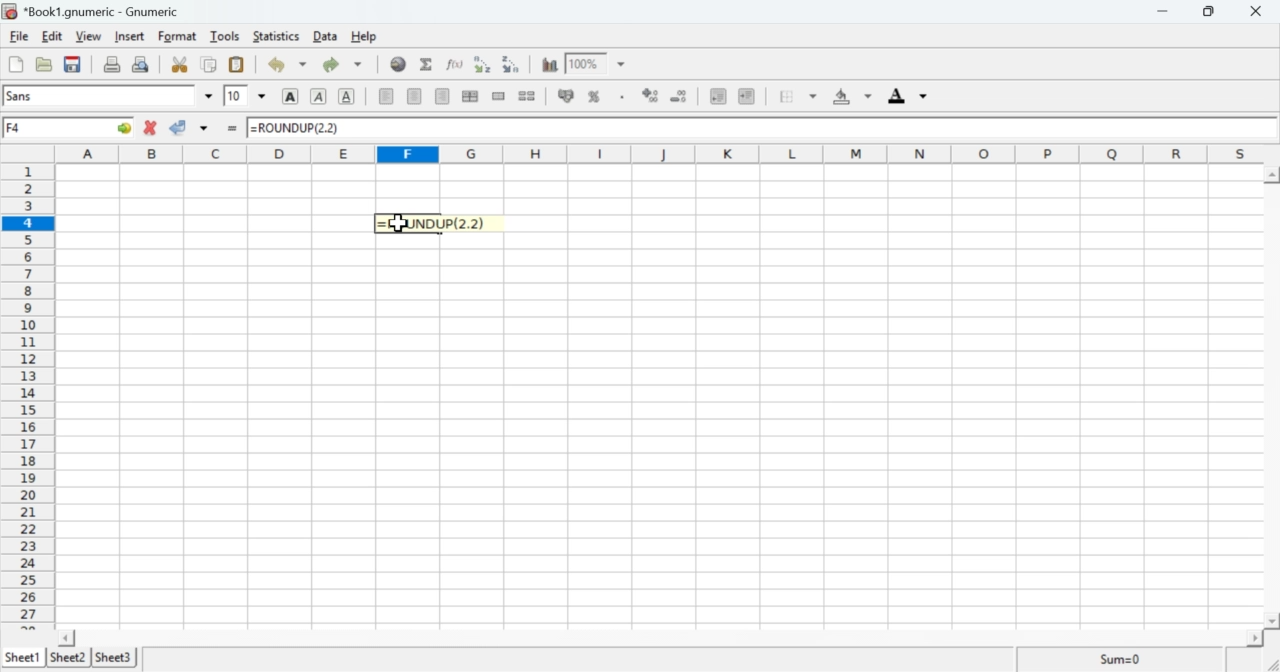 This screenshot has height=672, width=1280. Describe the element at coordinates (287, 97) in the screenshot. I see `Bold` at that location.